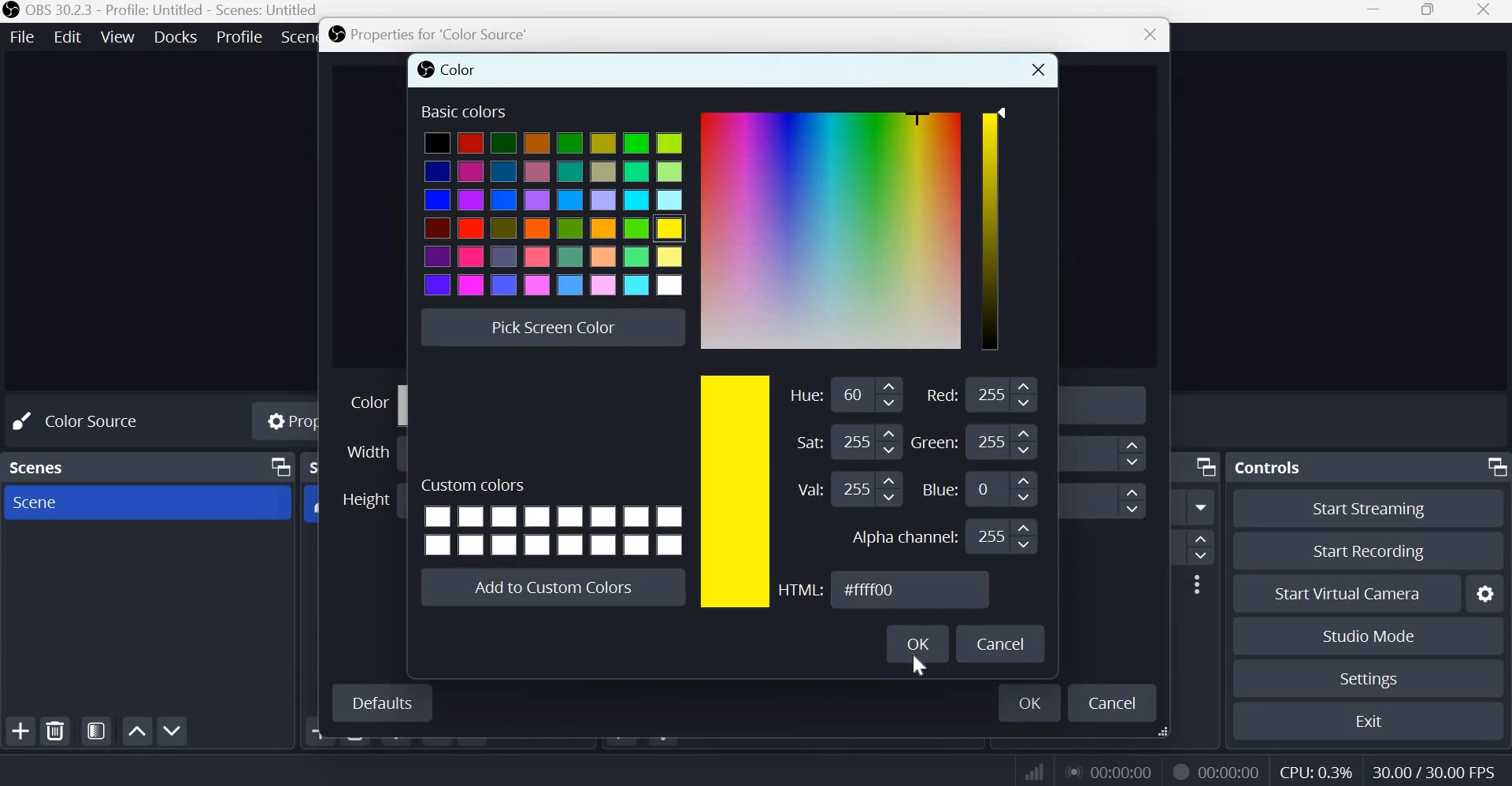 The image size is (1512, 786). Describe the element at coordinates (557, 588) in the screenshot. I see `Add to custom colors` at that location.